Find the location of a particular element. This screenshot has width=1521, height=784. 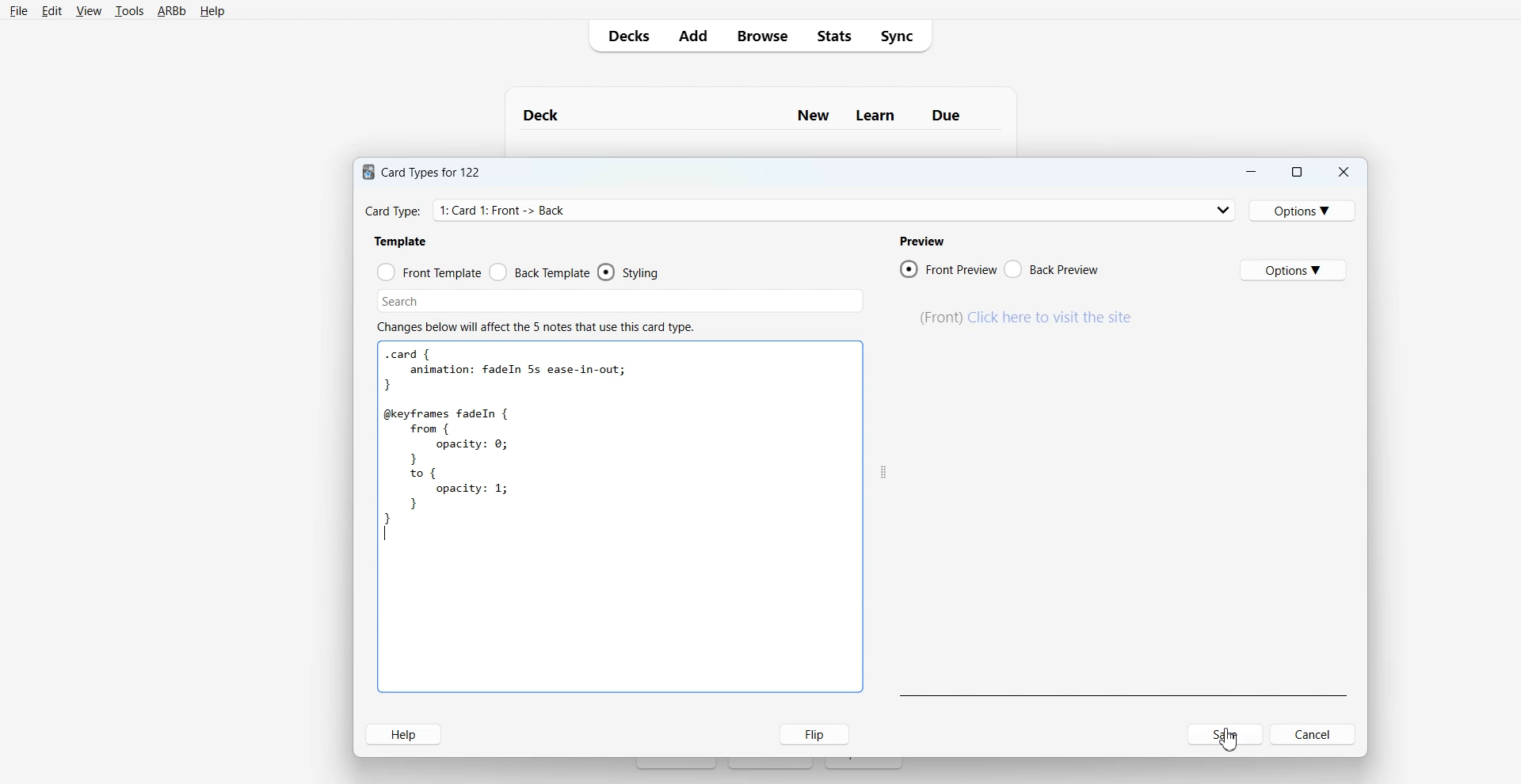

text 1 is located at coordinates (425, 173).